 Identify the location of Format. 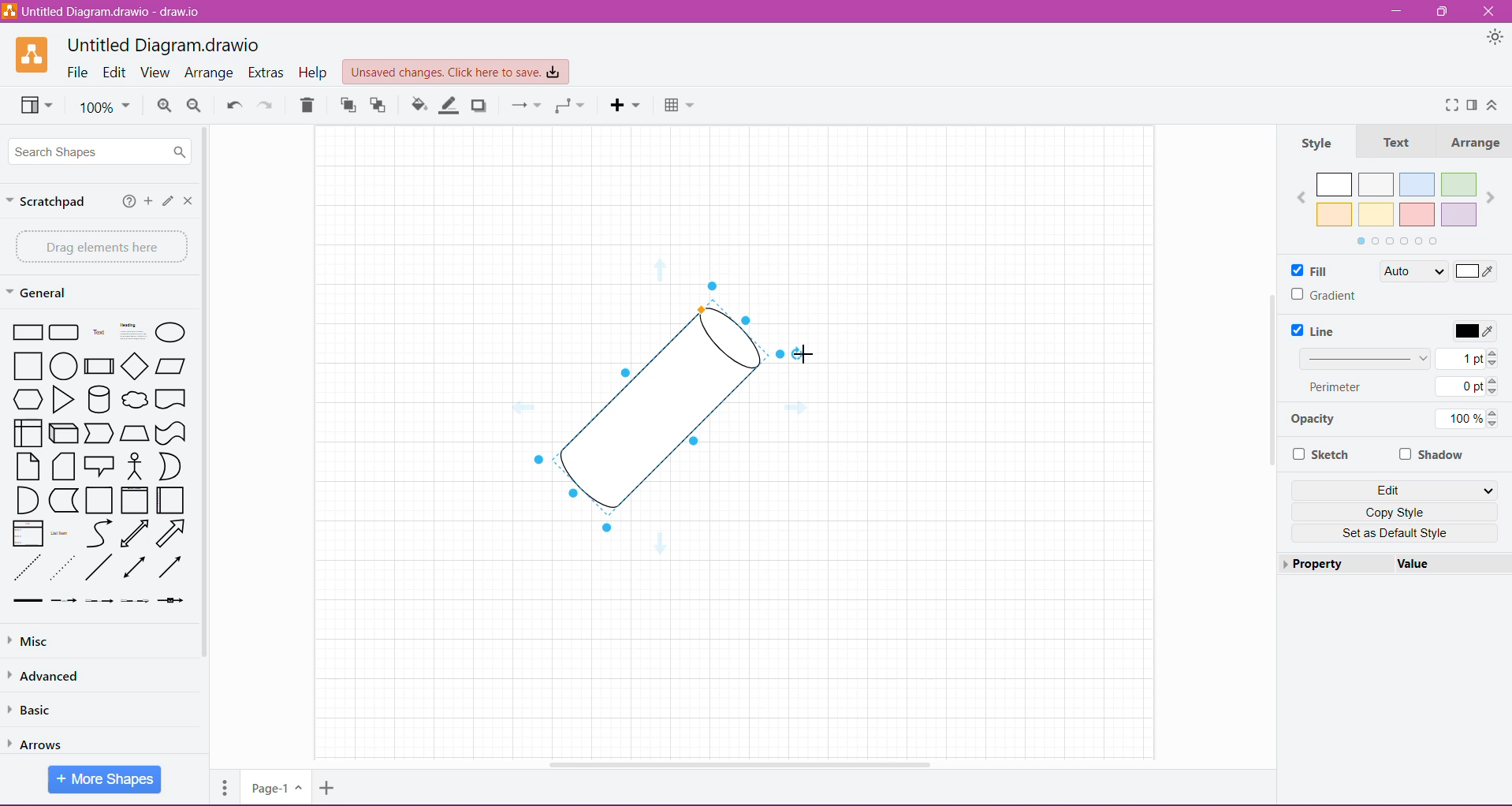
(1472, 106).